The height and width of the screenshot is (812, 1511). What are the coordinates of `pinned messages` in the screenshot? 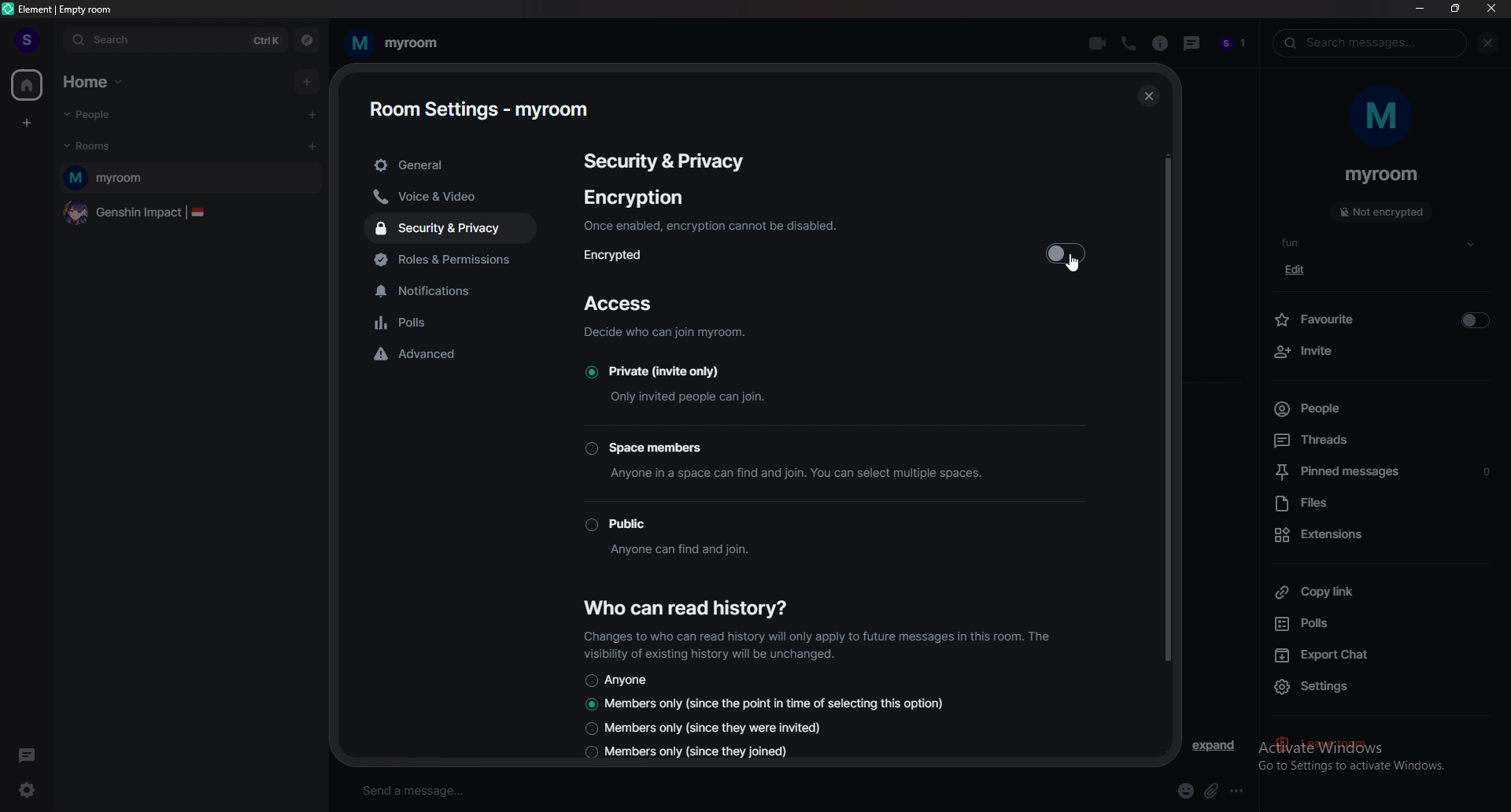 It's located at (1387, 471).